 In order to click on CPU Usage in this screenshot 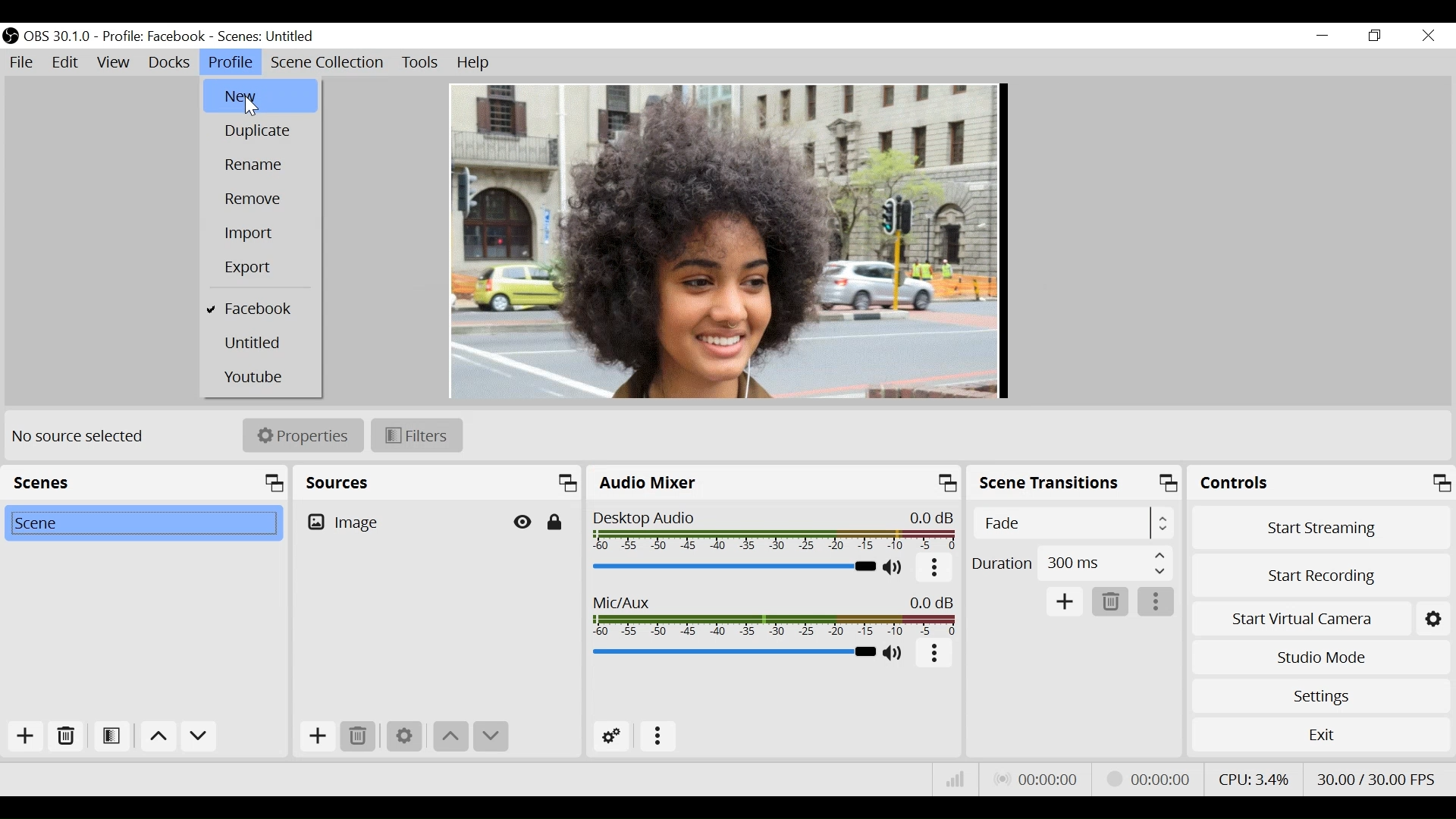, I will do `click(1255, 777)`.